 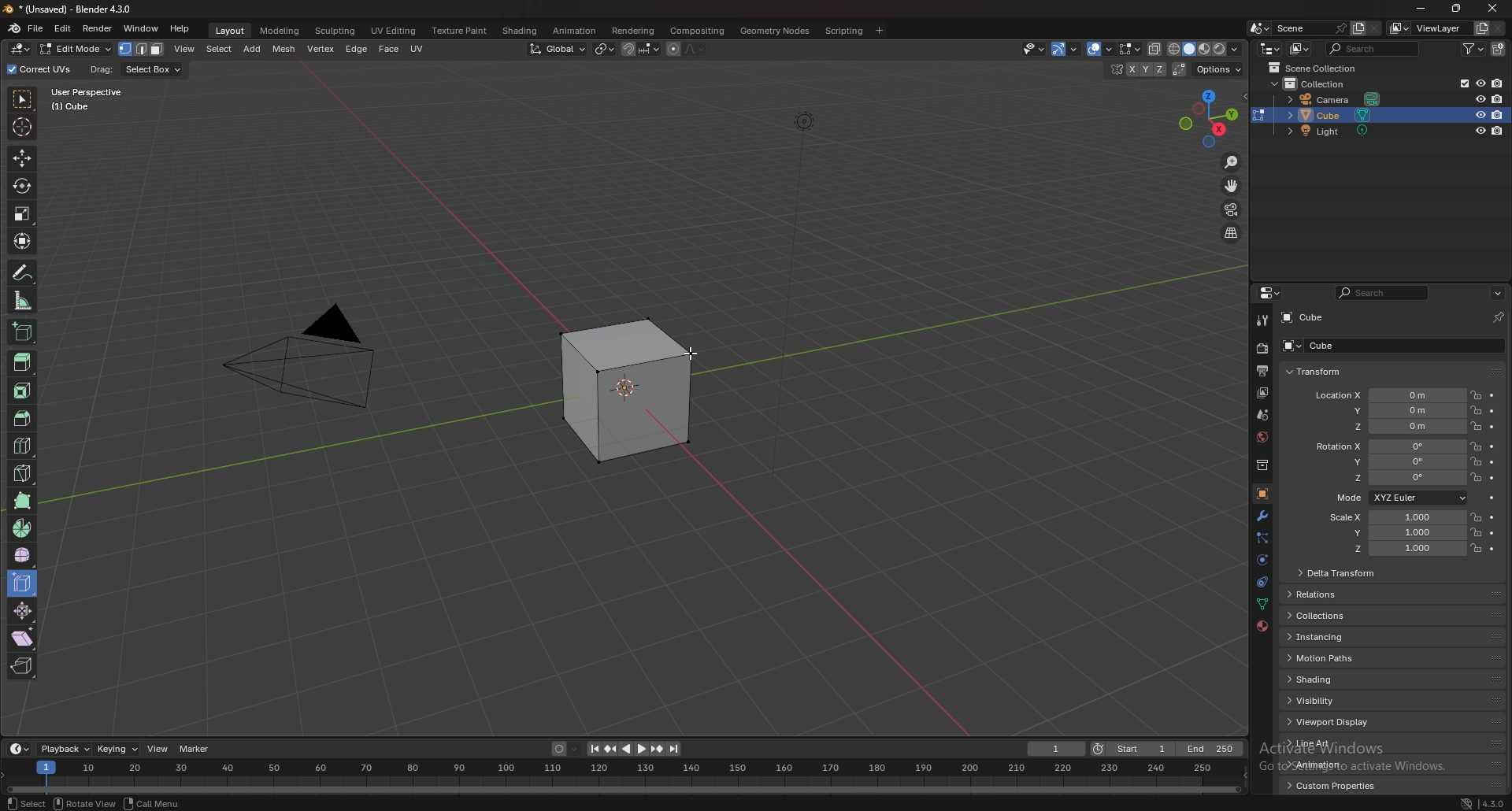 I want to click on texture paint, so click(x=459, y=31).